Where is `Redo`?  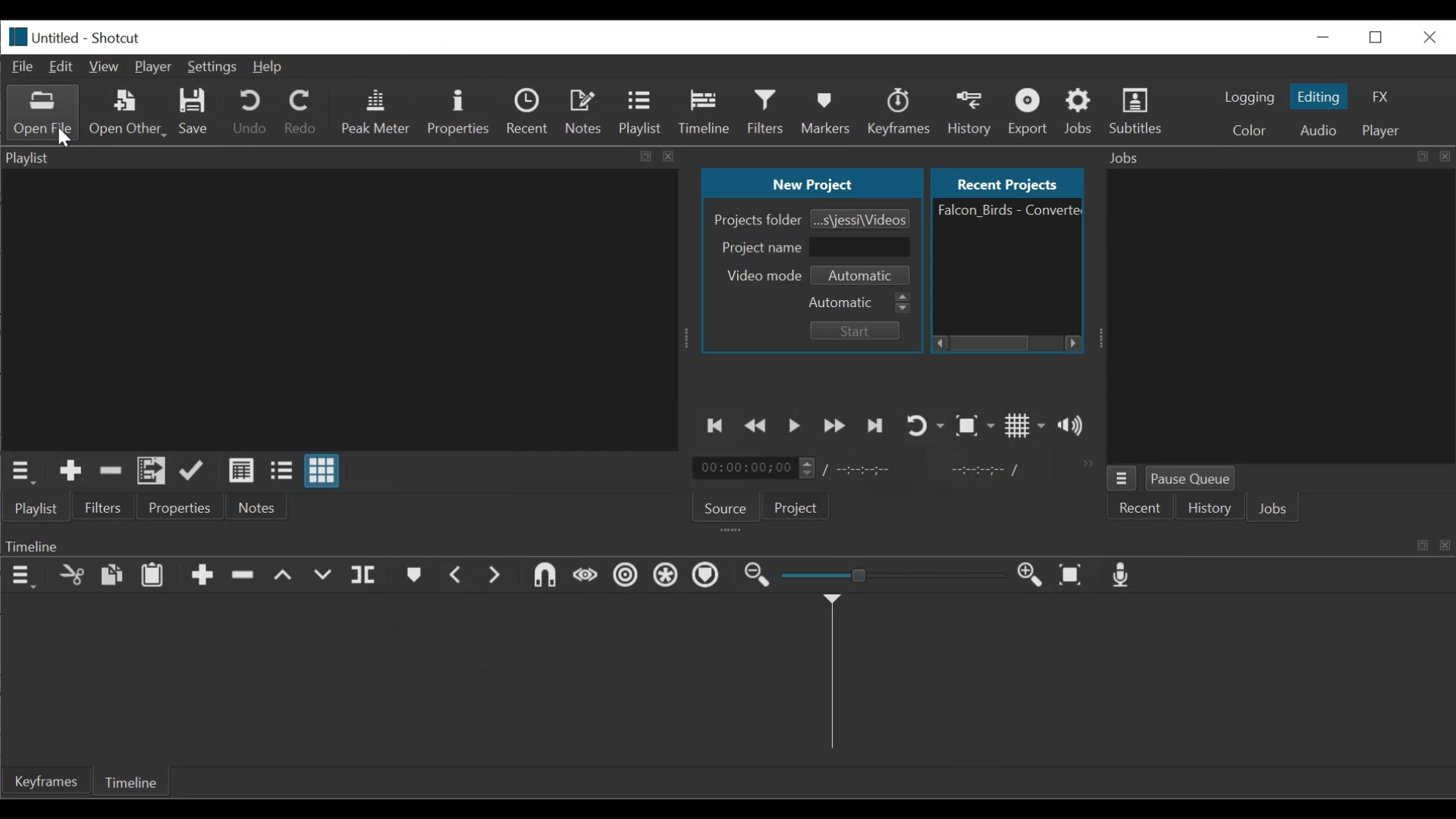 Redo is located at coordinates (303, 111).